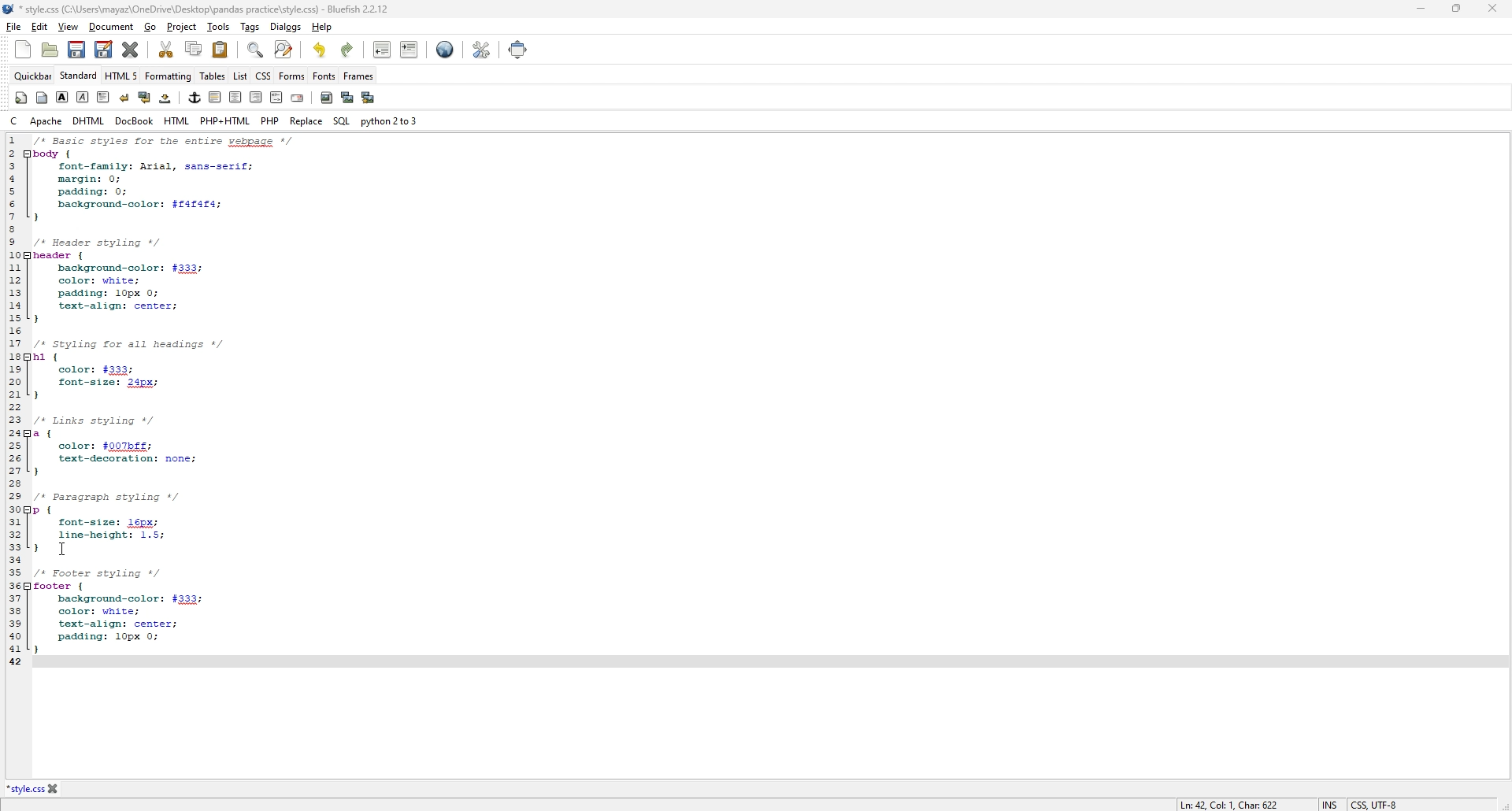  What do you see at coordinates (67, 27) in the screenshot?
I see `view` at bounding box center [67, 27].